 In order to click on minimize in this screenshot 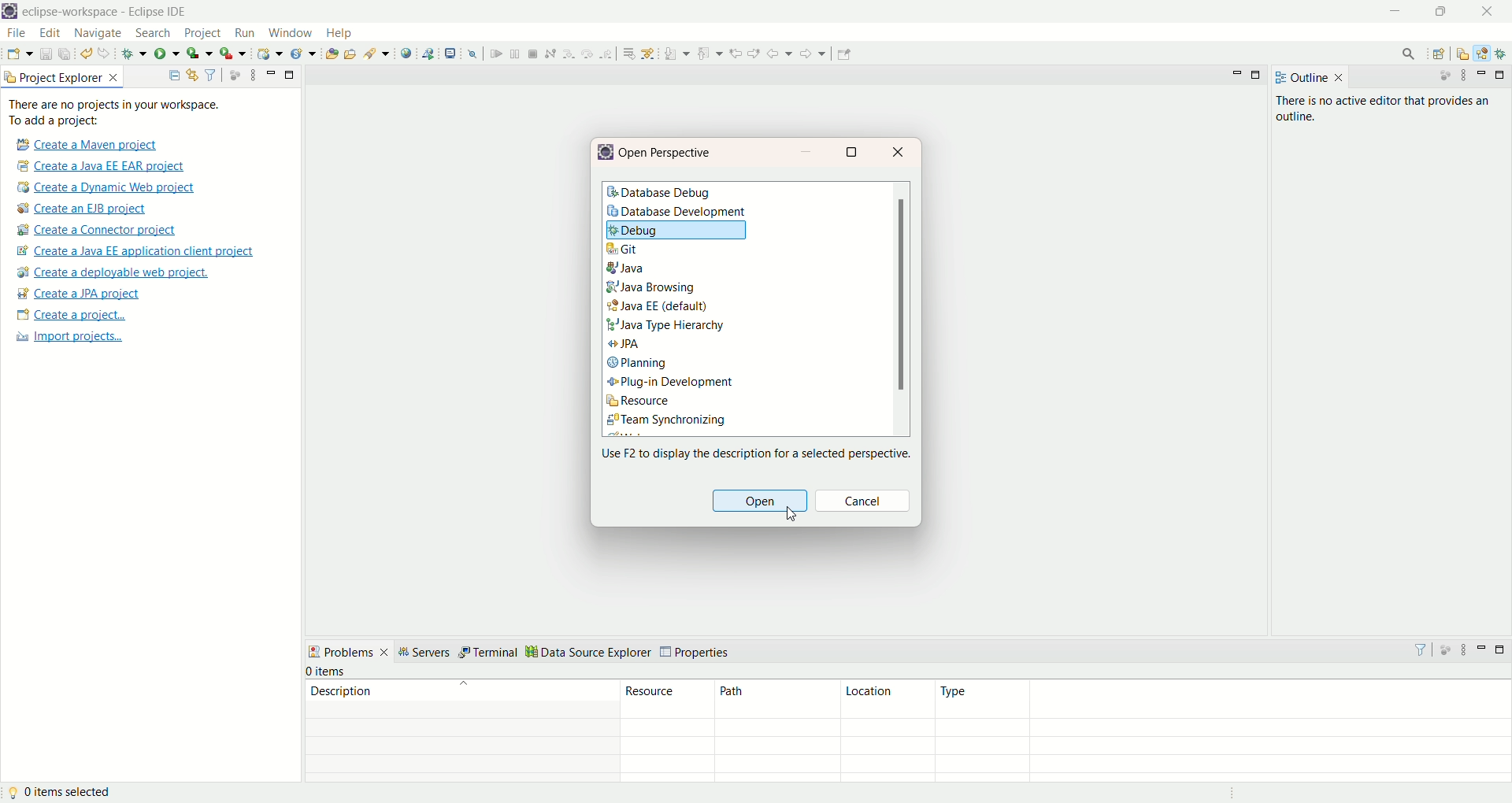, I will do `click(269, 71)`.